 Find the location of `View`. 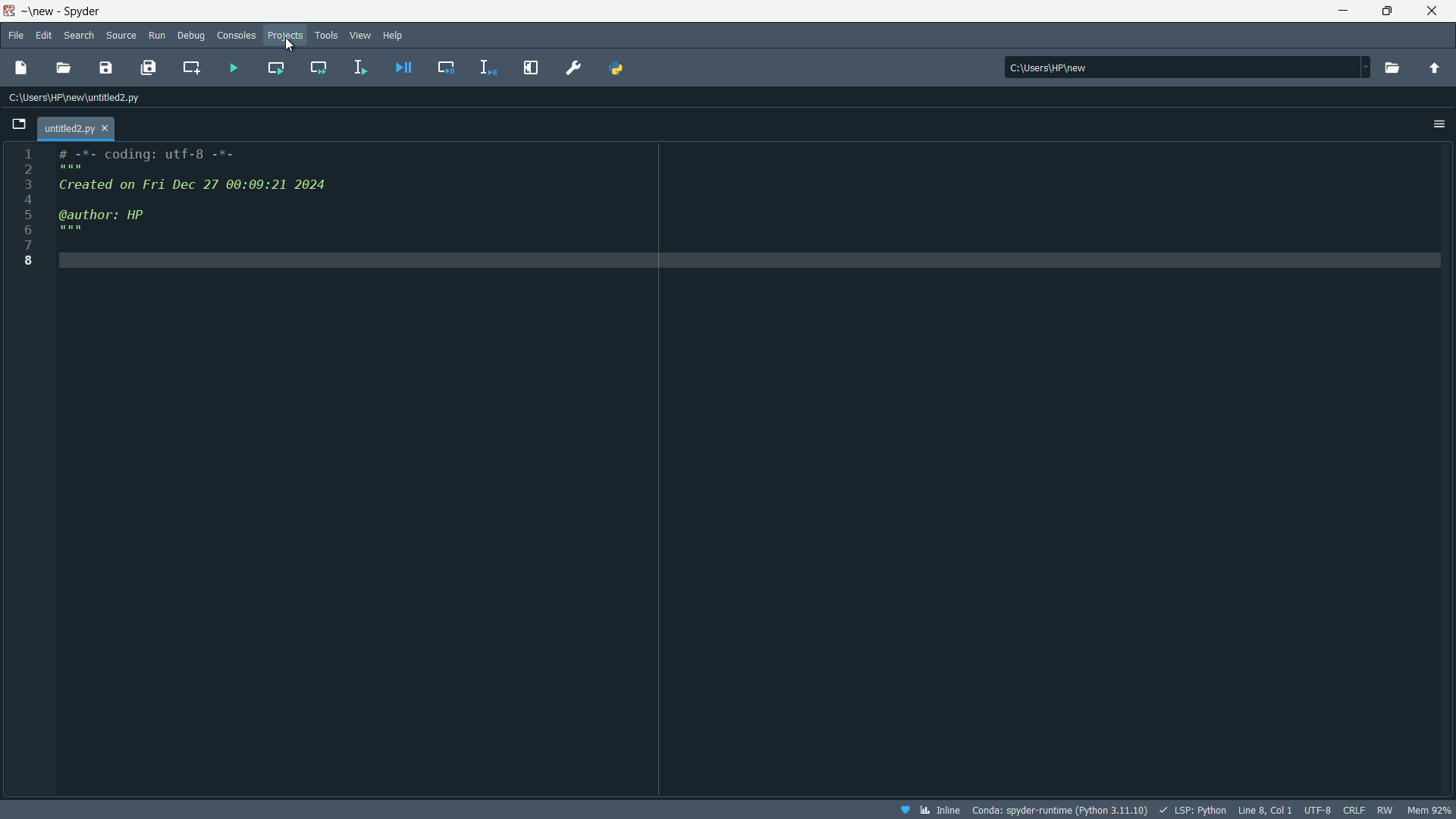

View is located at coordinates (356, 36).